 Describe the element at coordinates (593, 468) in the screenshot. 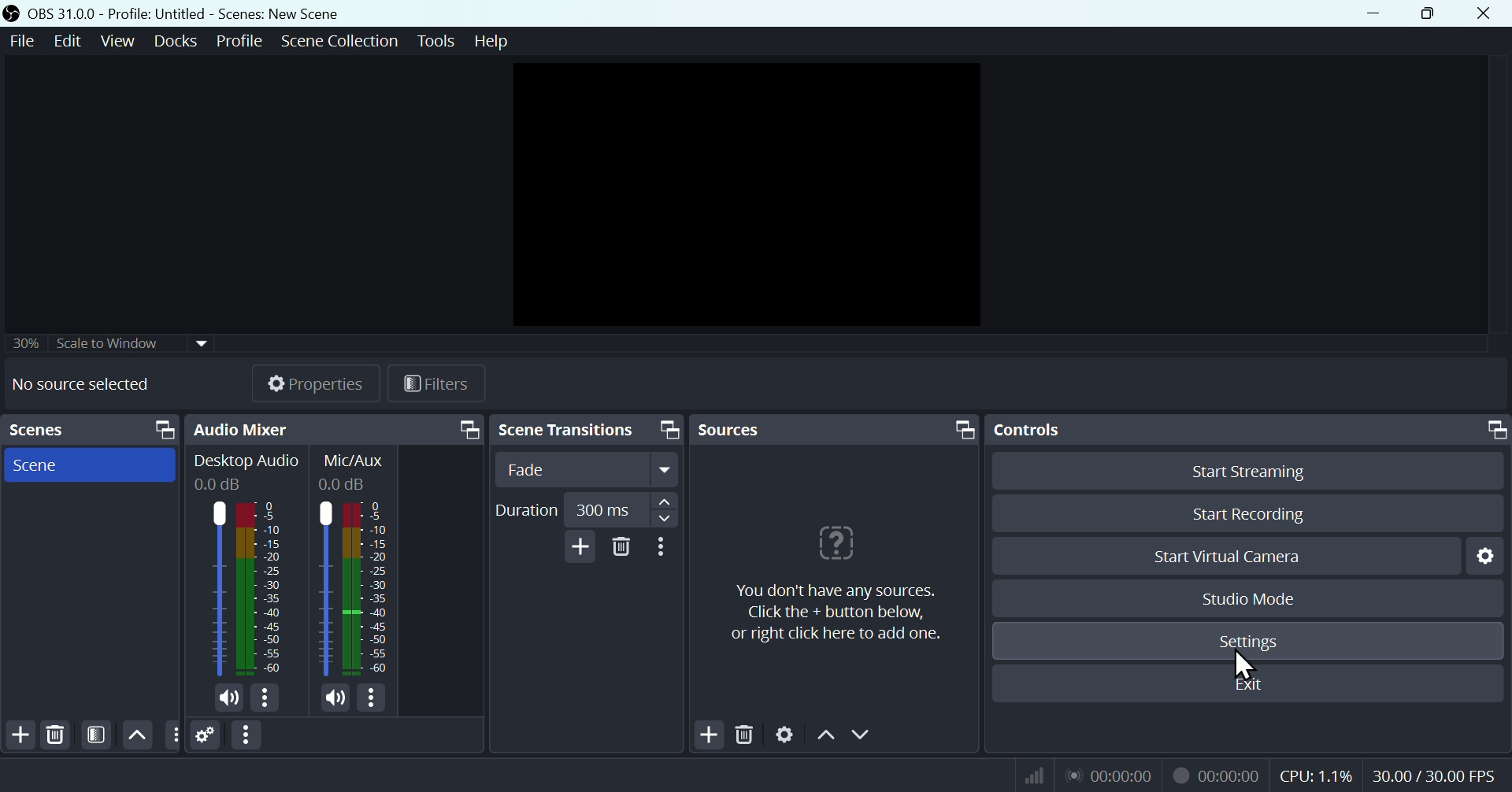

I see `fade` at that location.